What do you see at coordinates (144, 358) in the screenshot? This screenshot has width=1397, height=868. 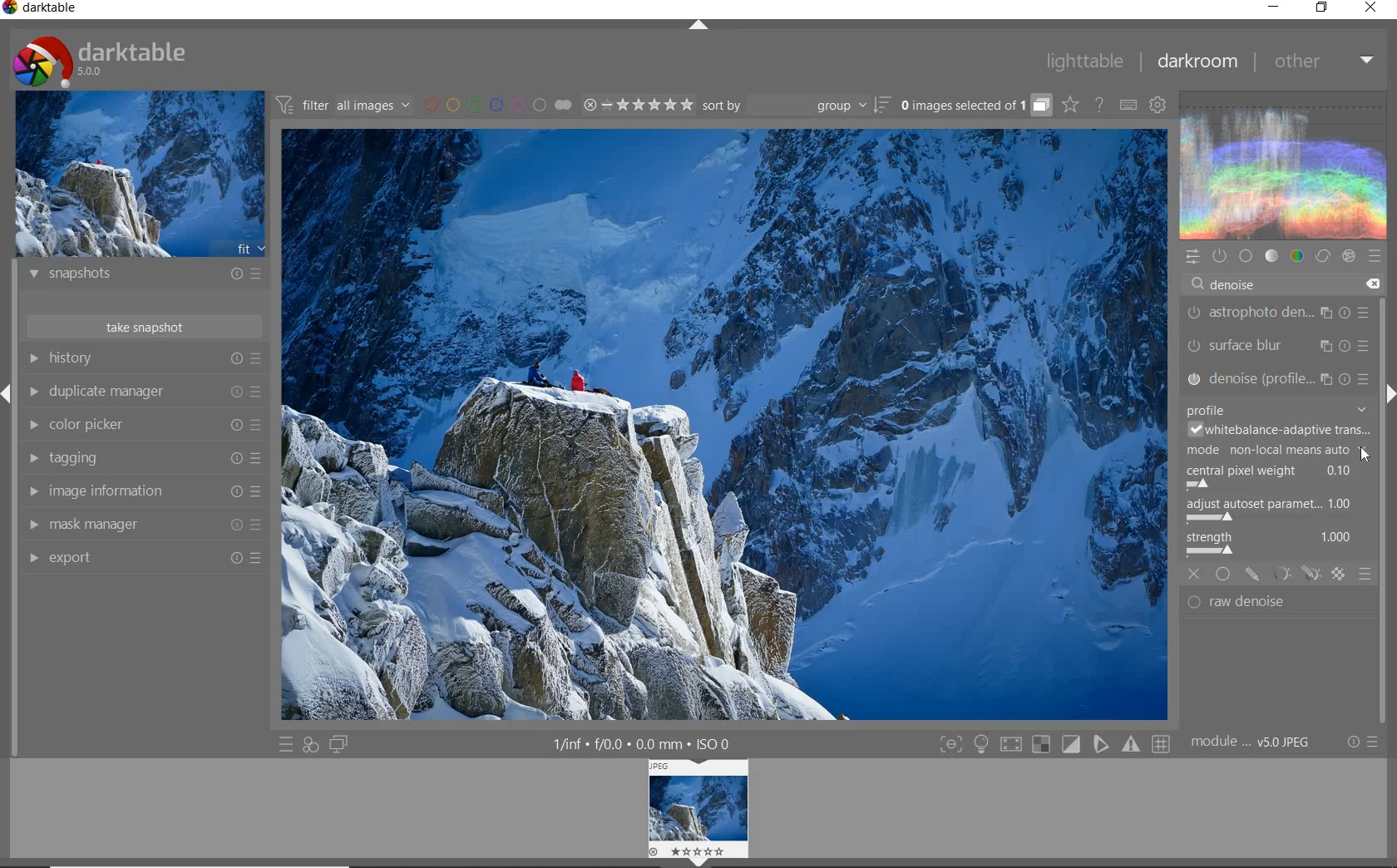 I see `history` at bounding box center [144, 358].